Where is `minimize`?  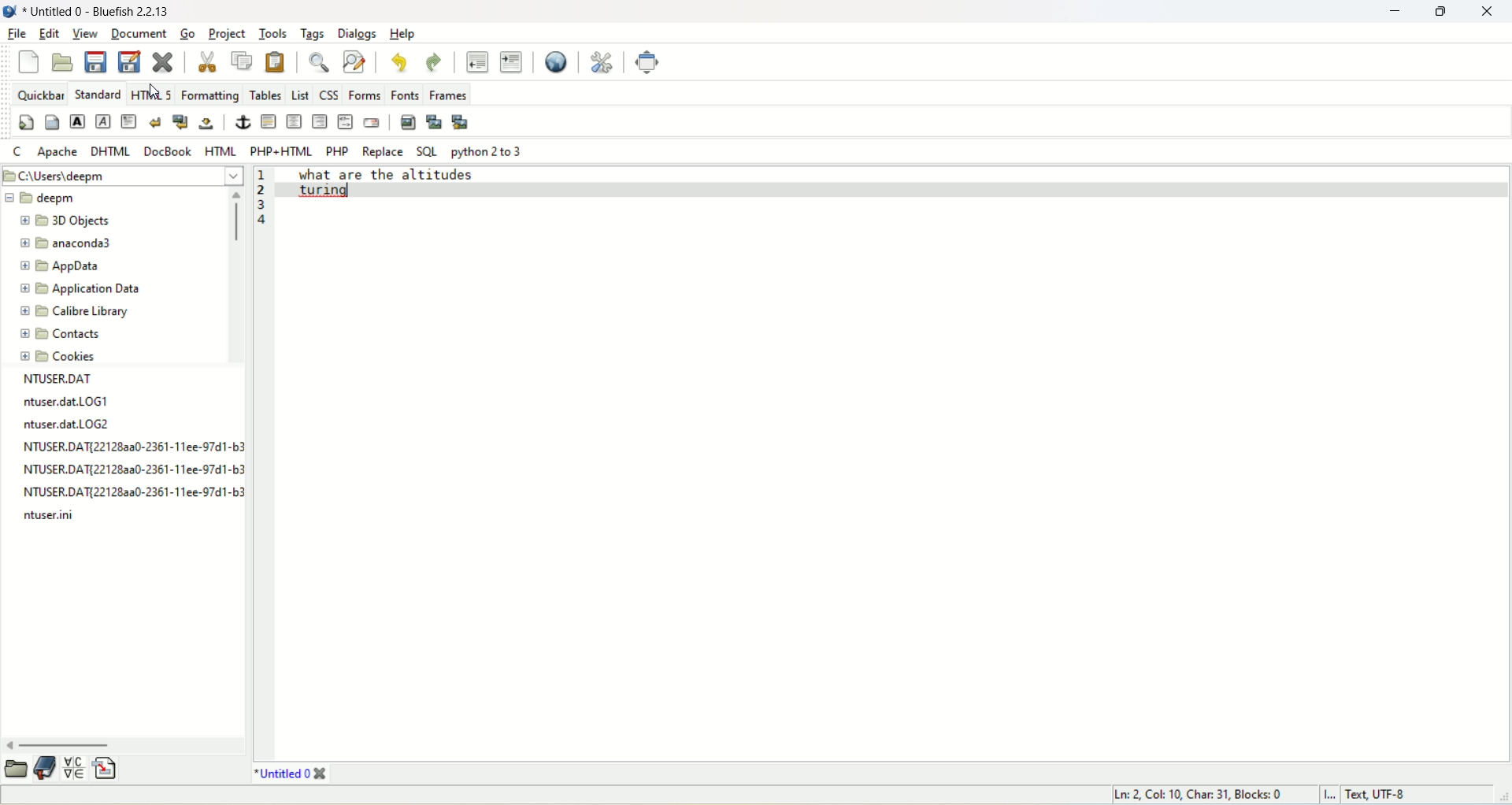 minimize is located at coordinates (1392, 12).